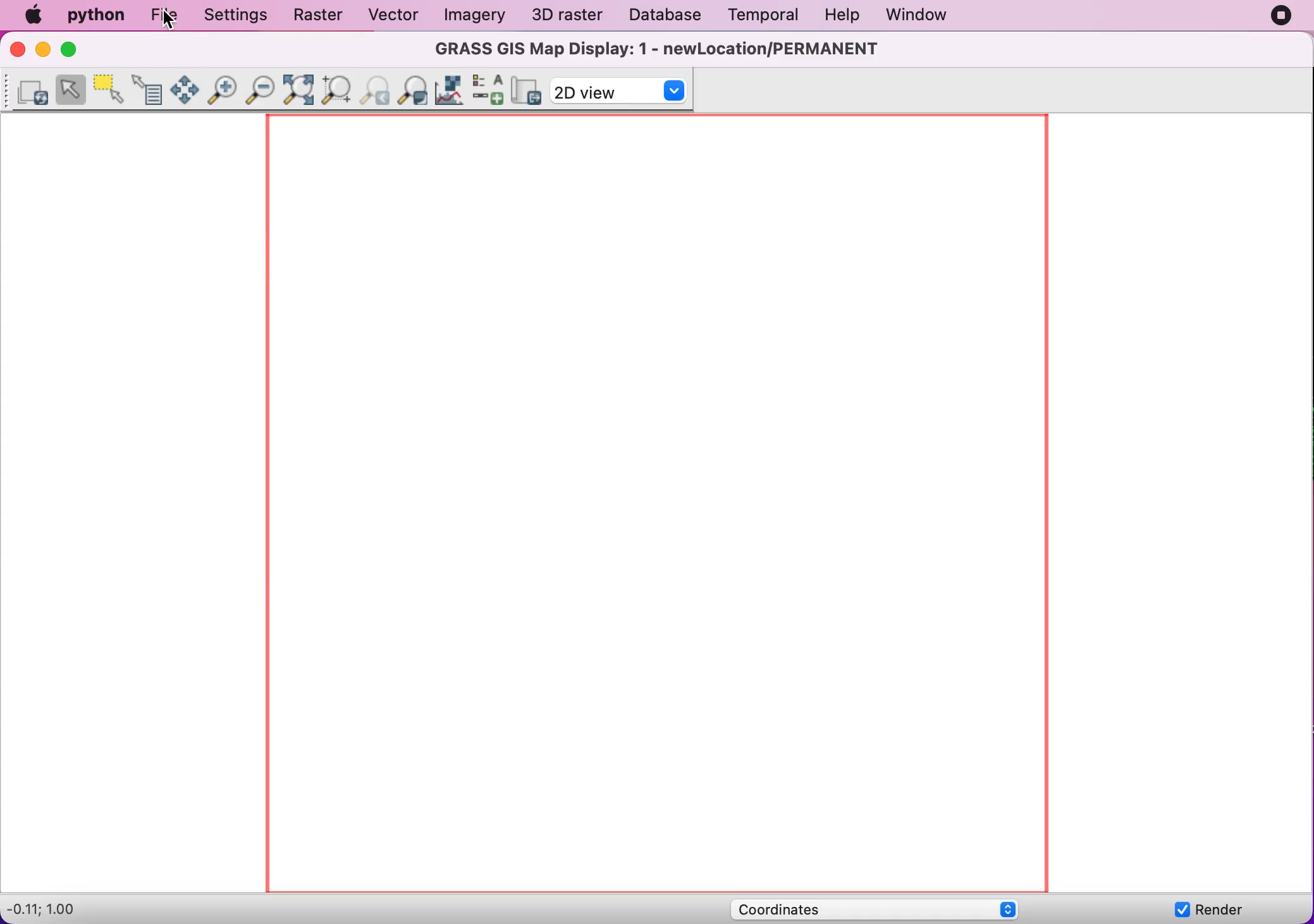  Describe the element at coordinates (145, 89) in the screenshot. I see `Query raster/vector maps` at that location.